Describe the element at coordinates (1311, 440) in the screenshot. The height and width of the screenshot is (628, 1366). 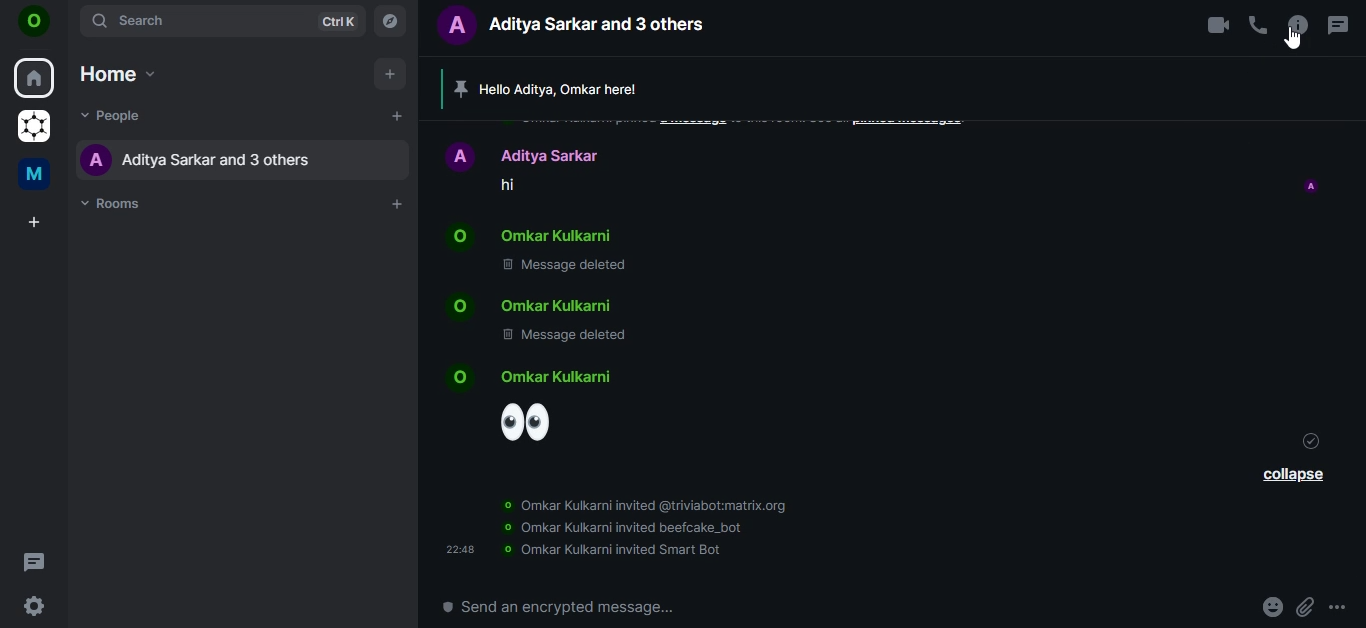
I see `message sent icon` at that location.